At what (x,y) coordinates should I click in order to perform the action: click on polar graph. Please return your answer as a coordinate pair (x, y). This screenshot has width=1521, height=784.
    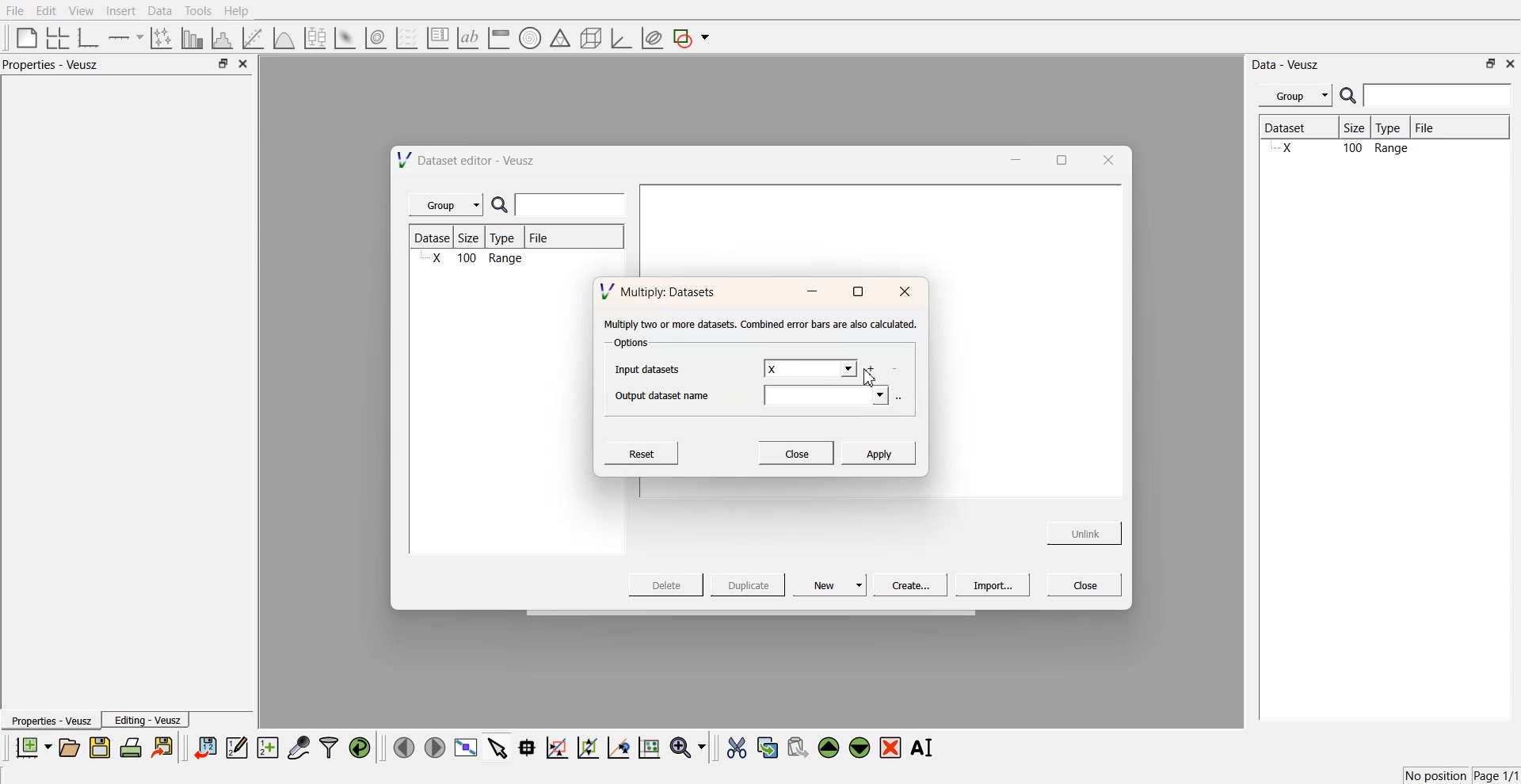
    Looking at the image, I should click on (529, 40).